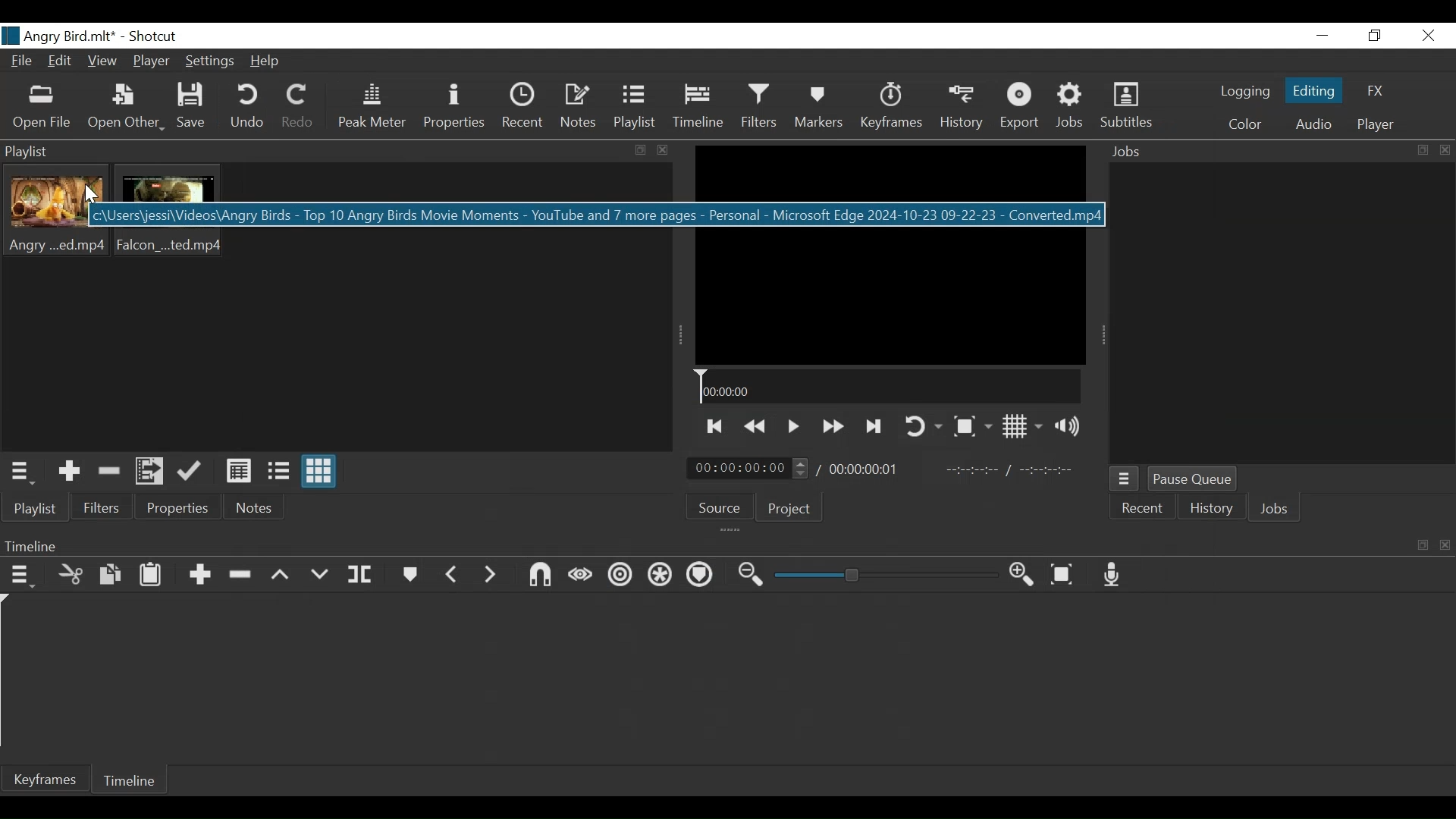  What do you see at coordinates (1210, 507) in the screenshot?
I see `History` at bounding box center [1210, 507].